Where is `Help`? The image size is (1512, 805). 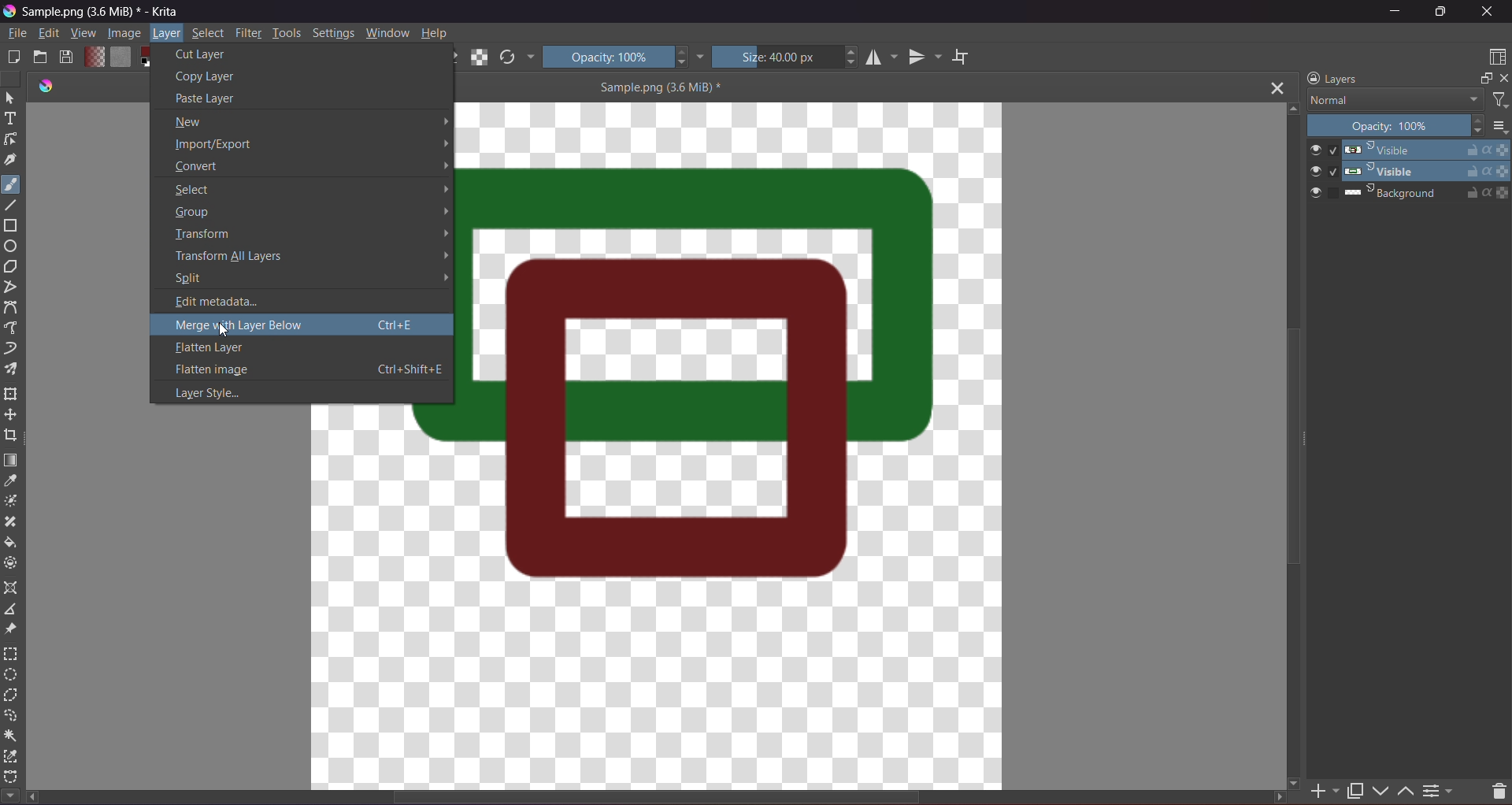
Help is located at coordinates (436, 32).